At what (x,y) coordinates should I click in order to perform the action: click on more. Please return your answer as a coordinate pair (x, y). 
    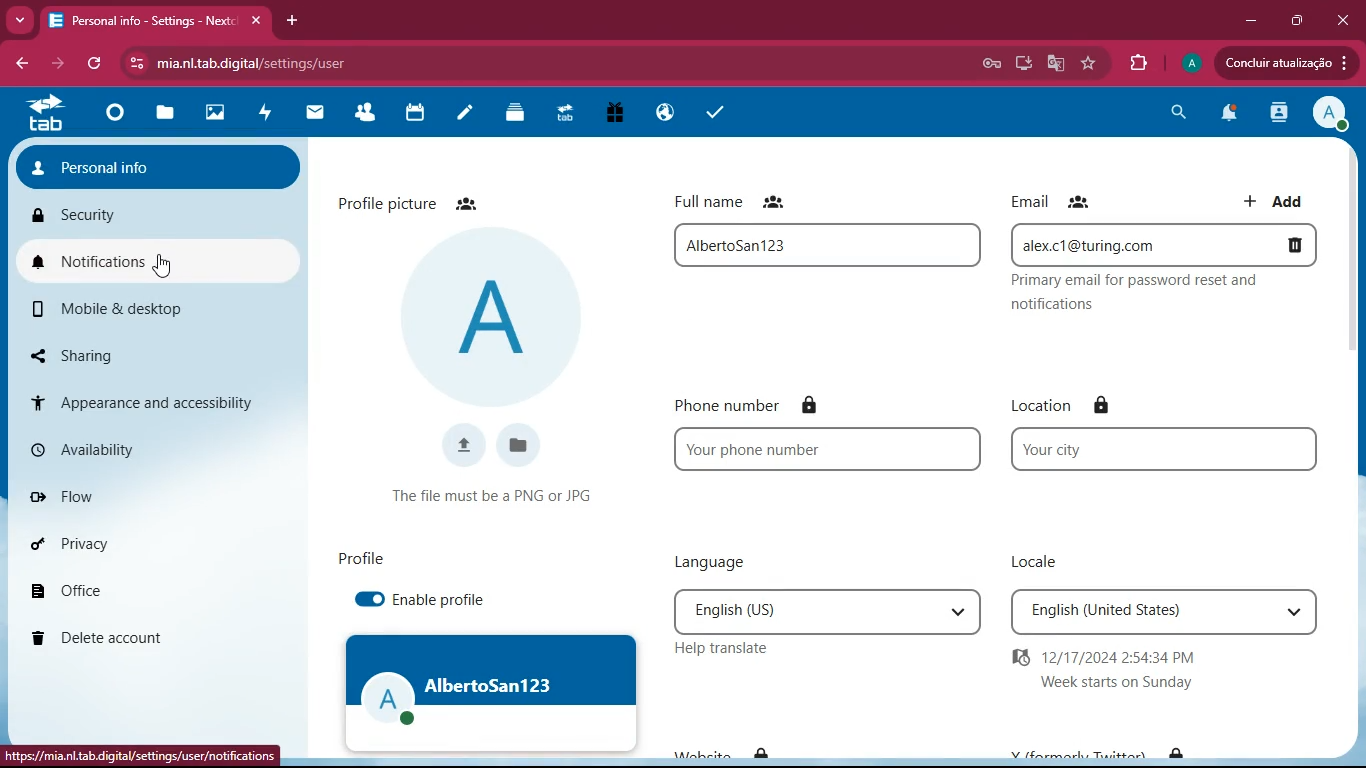
    Looking at the image, I should click on (19, 20).